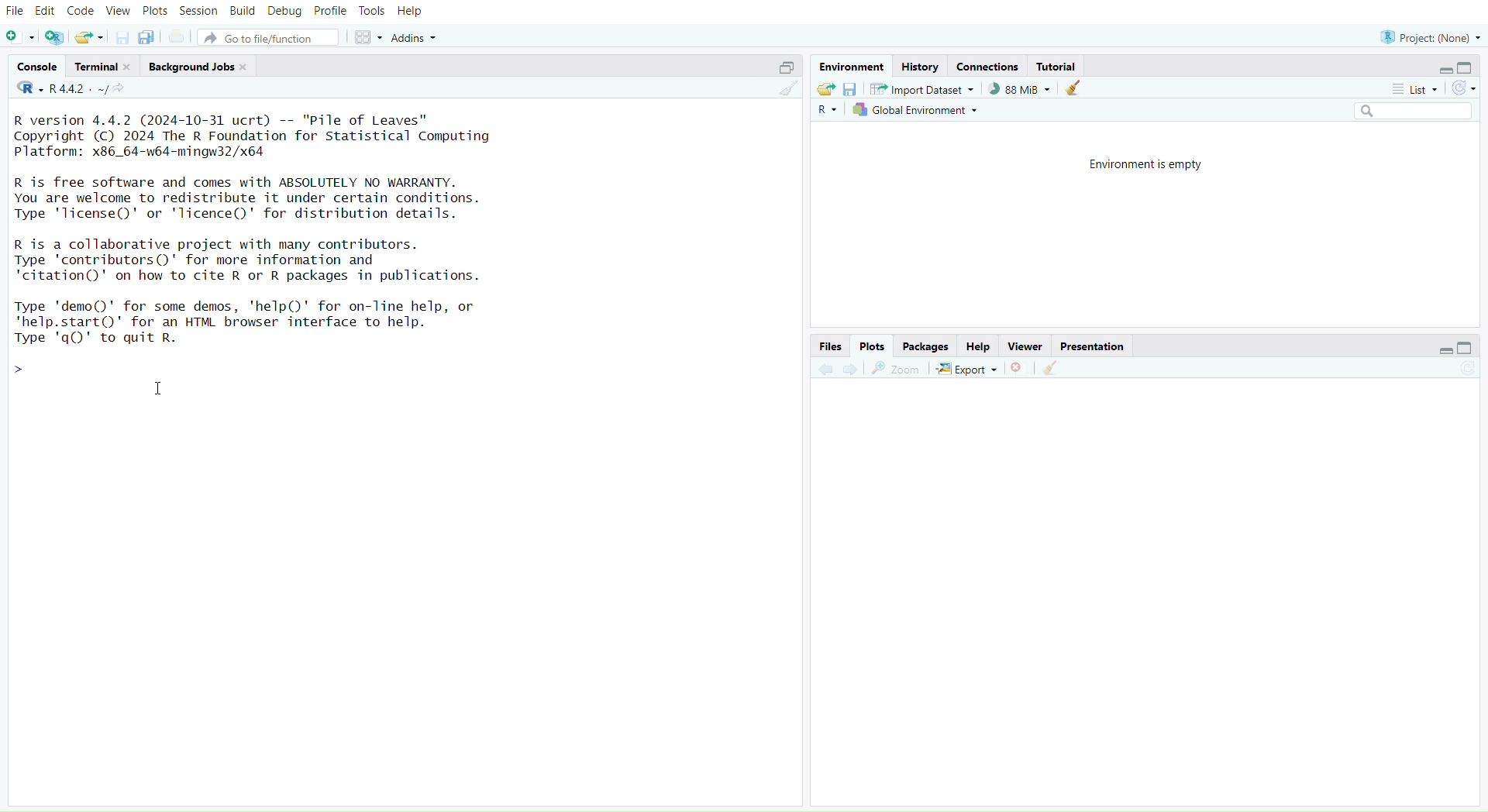  What do you see at coordinates (873, 346) in the screenshot?
I see `plots` at bounding box center [873, 346].